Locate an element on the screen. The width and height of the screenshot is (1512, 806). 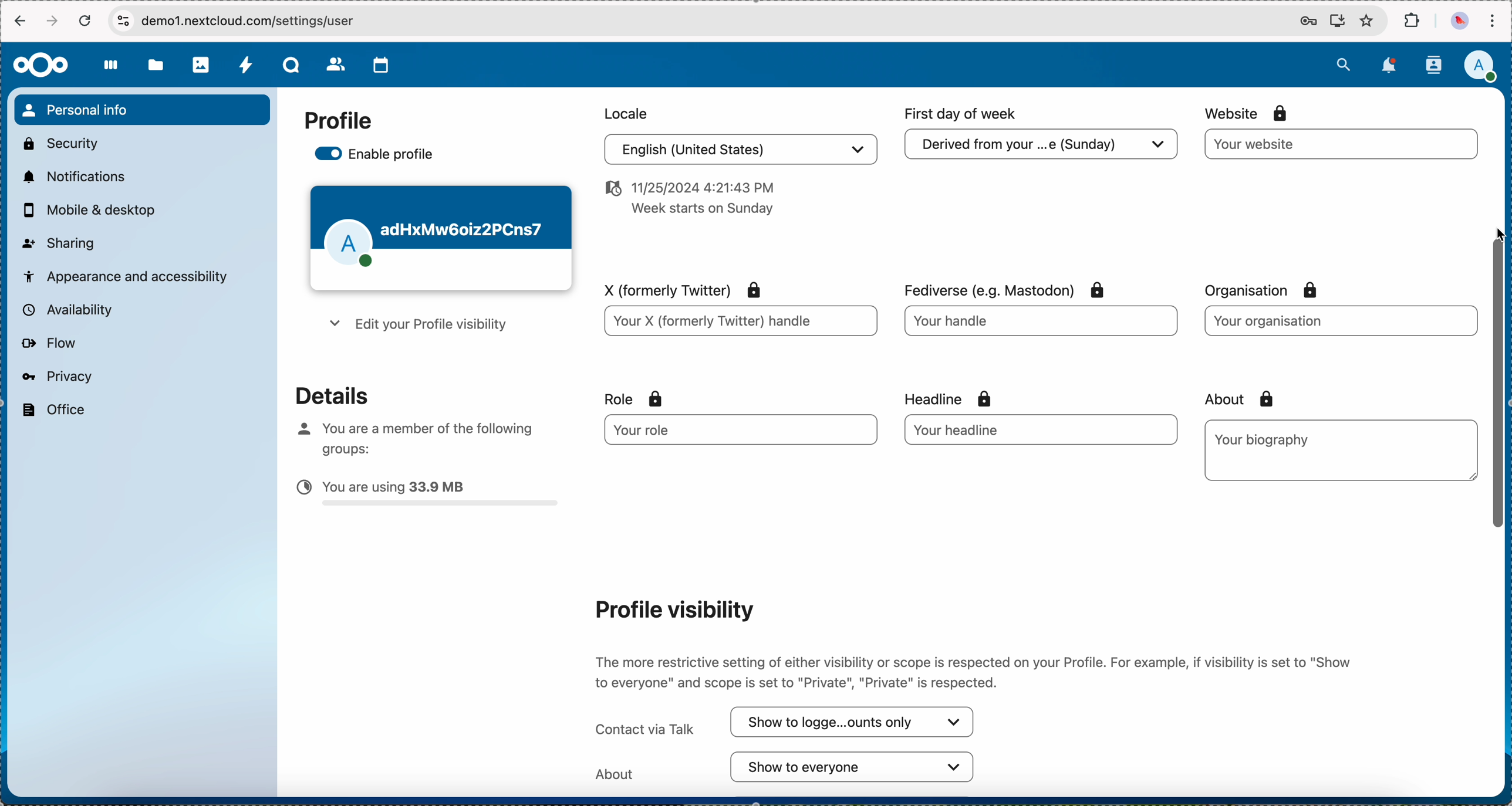
role is located at coordinates (634, 399).